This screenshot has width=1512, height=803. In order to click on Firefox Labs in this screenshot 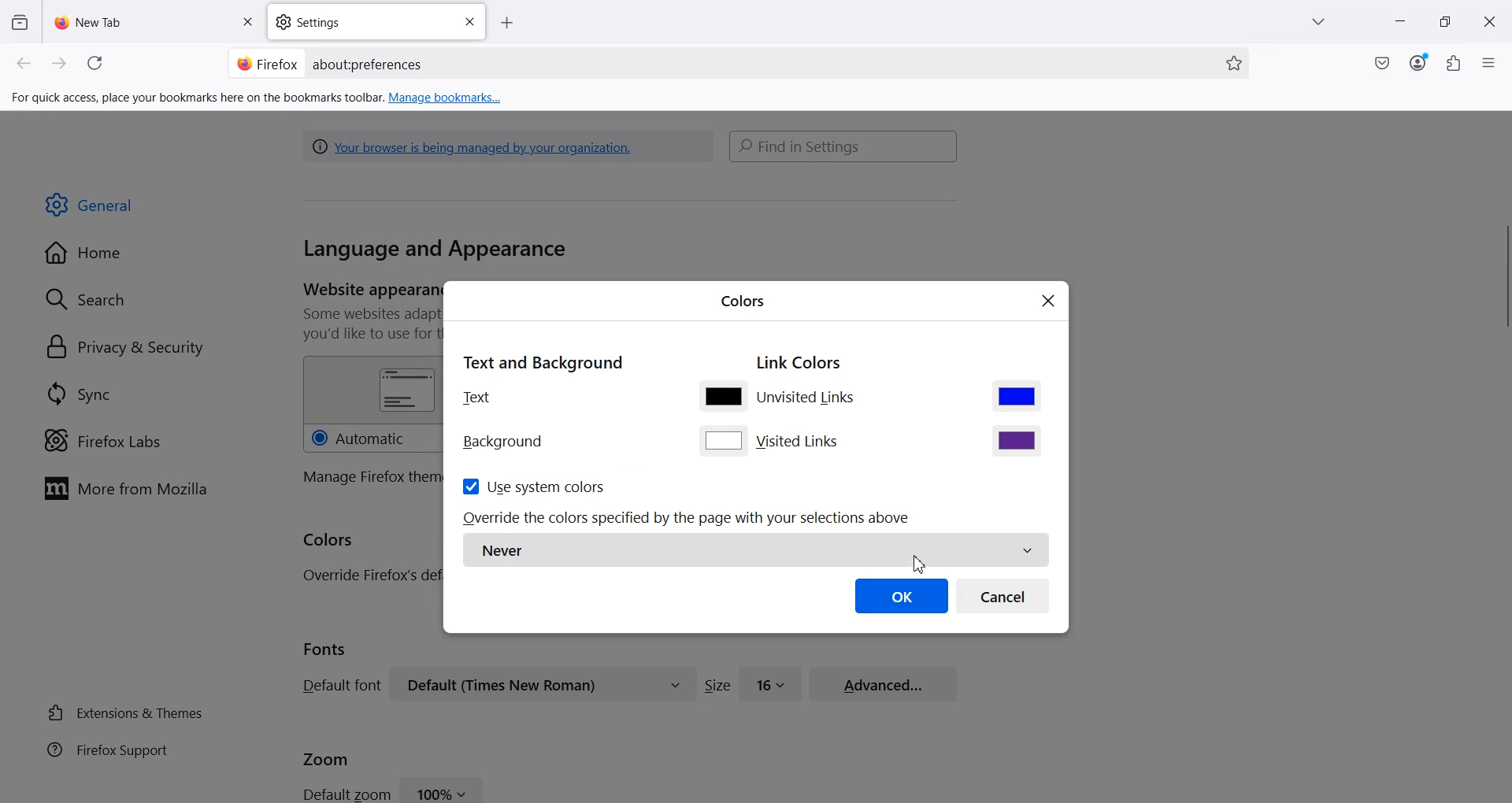, I will do `click(102, 441)`.